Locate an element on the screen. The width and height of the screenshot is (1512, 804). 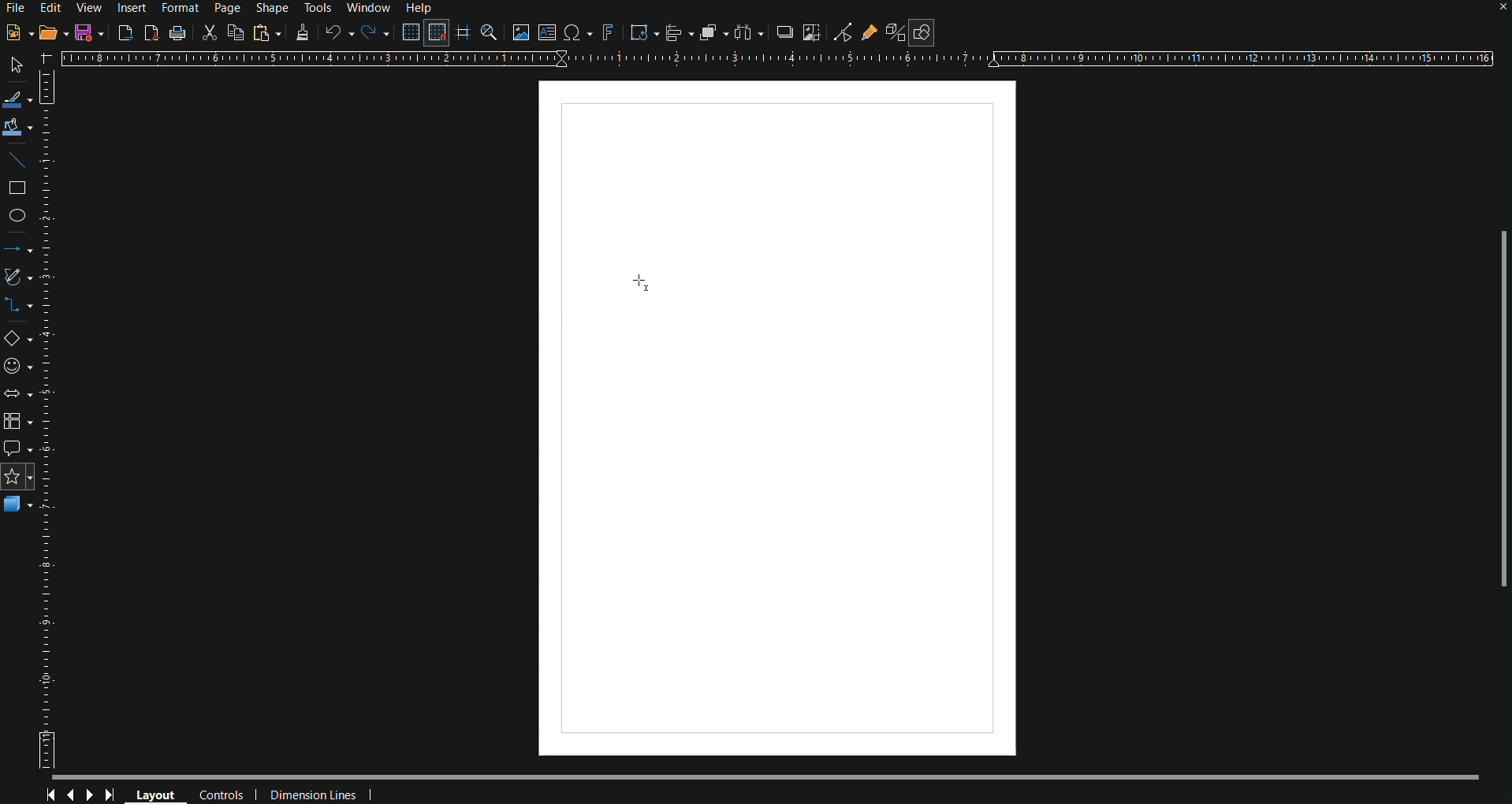
Layout is located at coordinates (155, 793).